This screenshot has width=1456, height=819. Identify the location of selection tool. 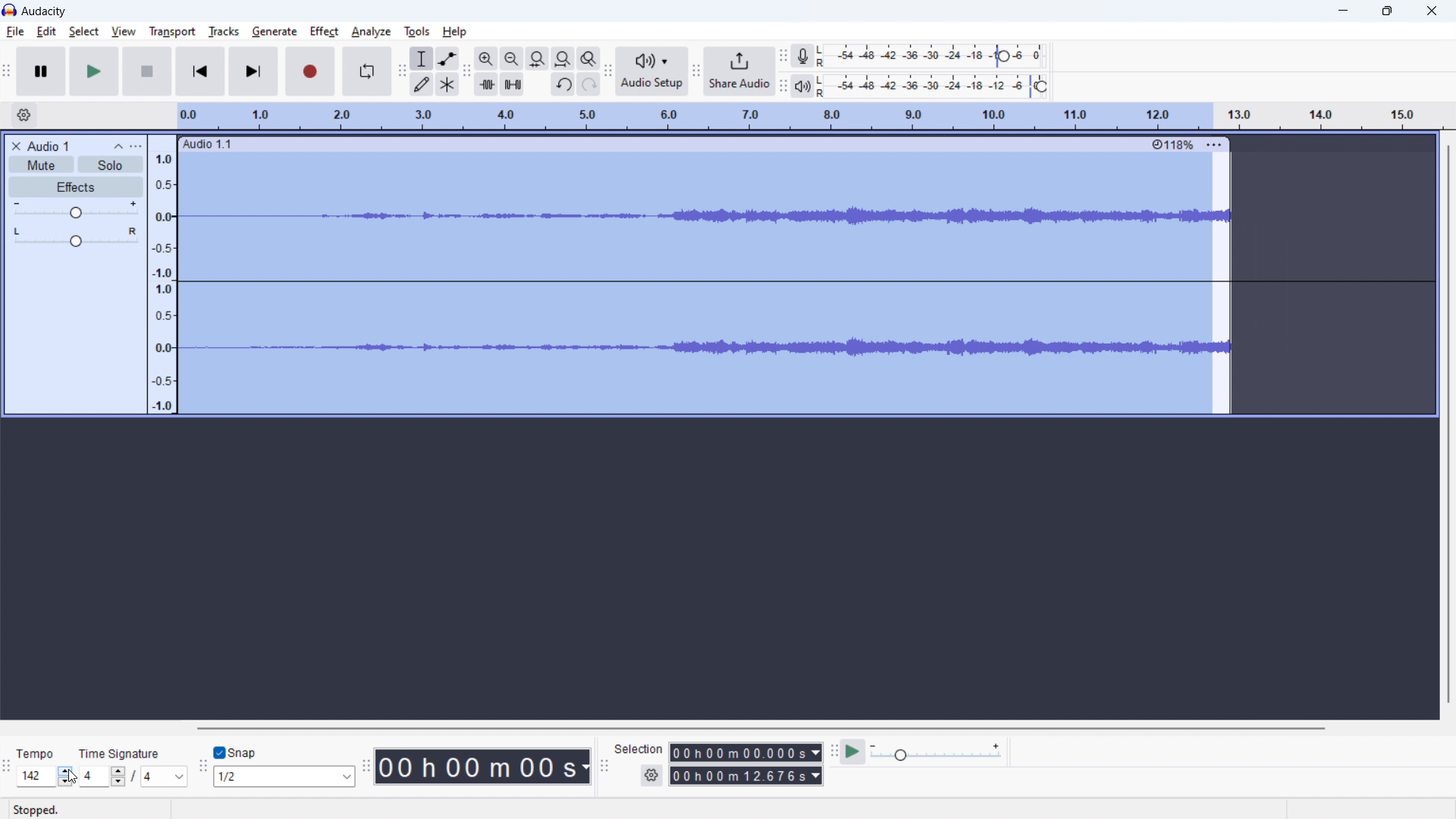
(422, 58).